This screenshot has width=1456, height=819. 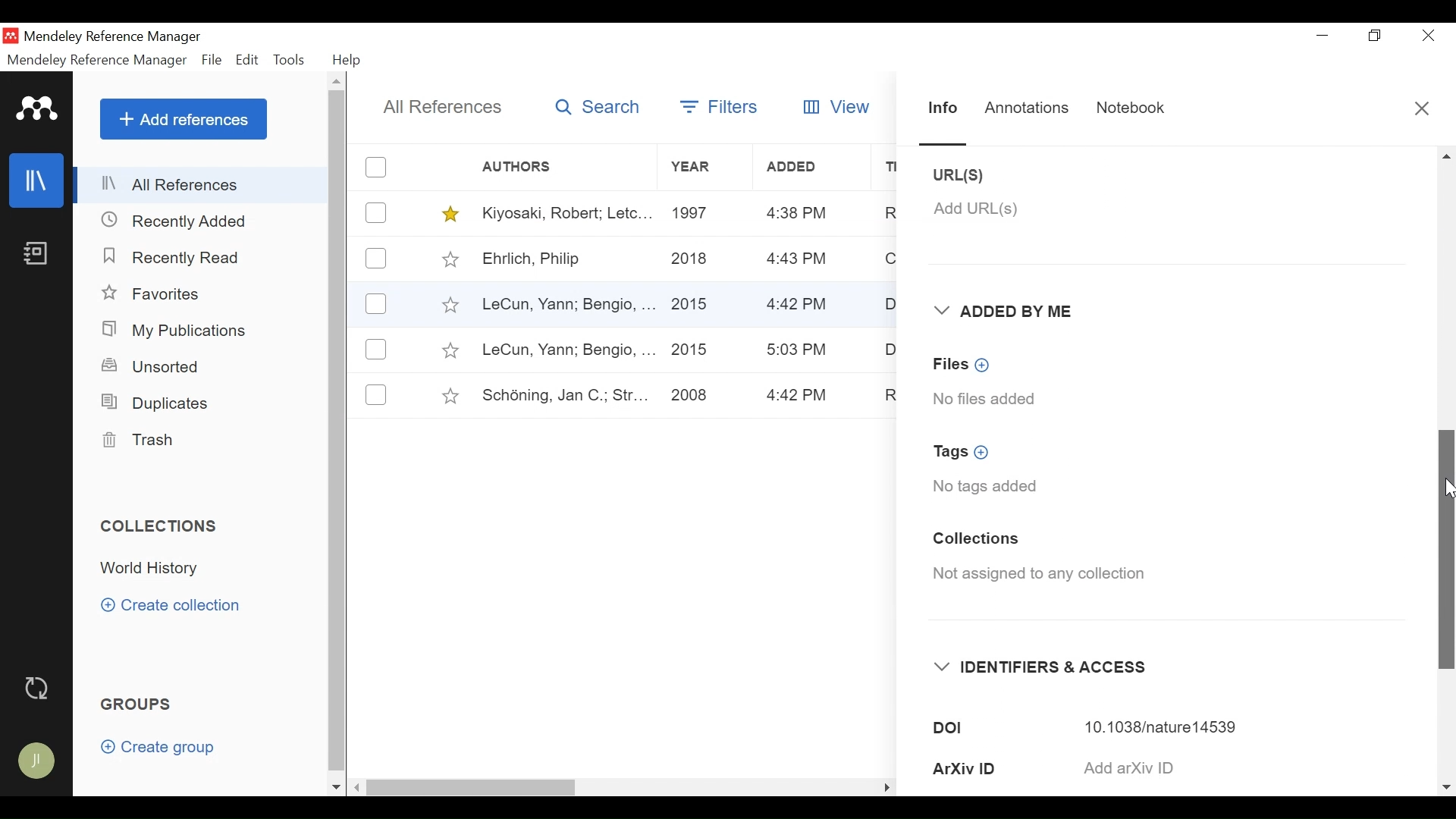 I want to click on Info, so click(x=943, y=110).